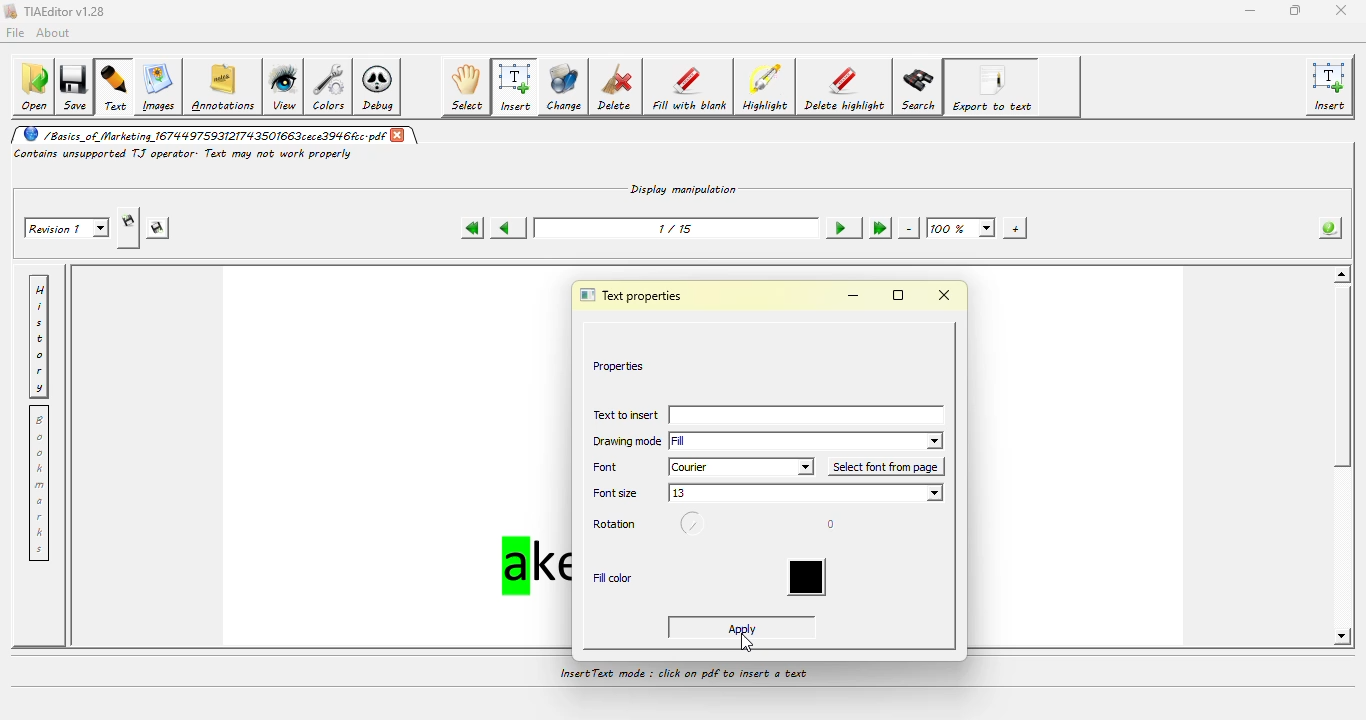 The image size is (1366, 720). What do you see at coordinates (225, 86) in the screenshot?
I see `annotations` at bounding box center [225, 86].